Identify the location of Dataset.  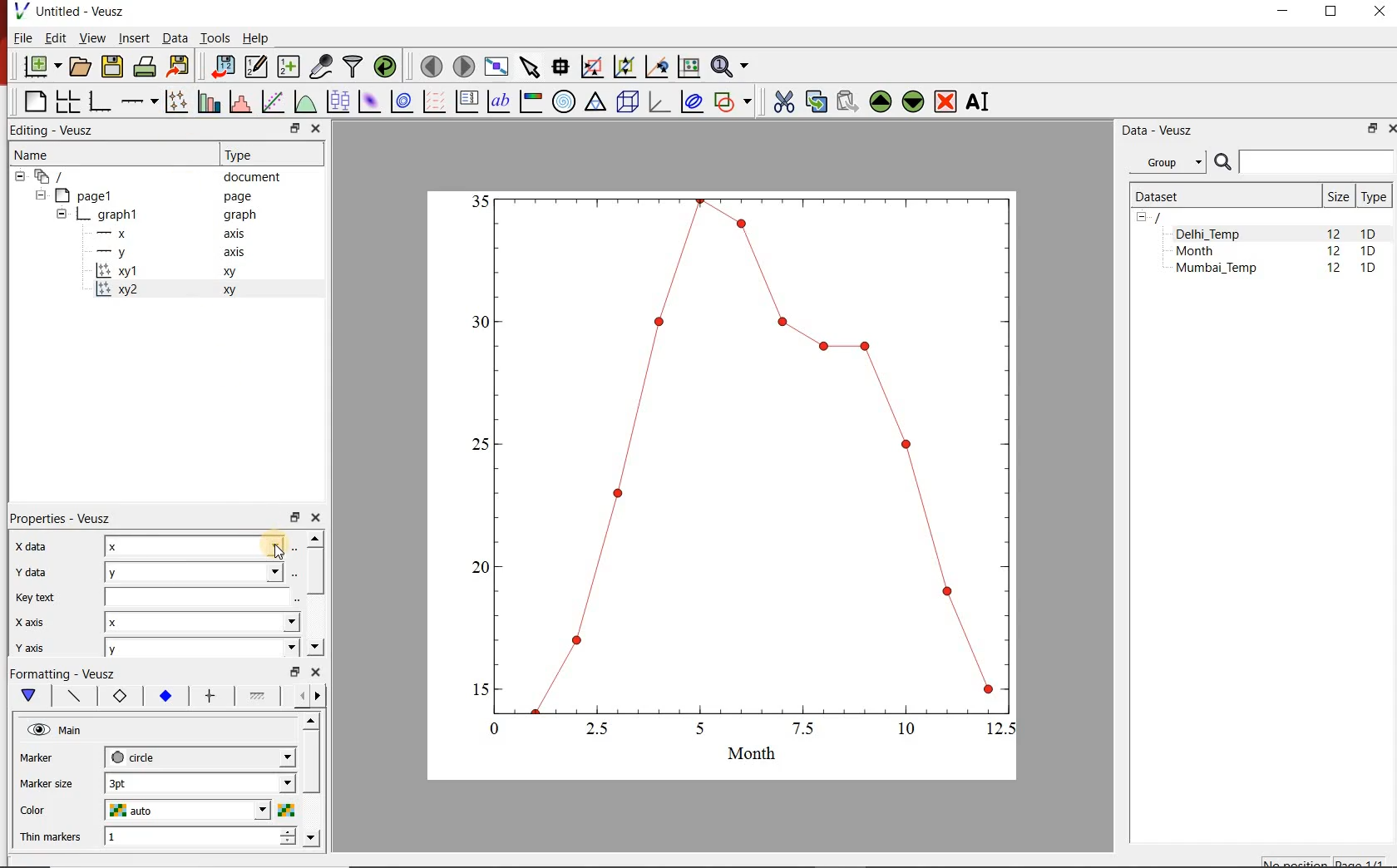
(1221, 196).